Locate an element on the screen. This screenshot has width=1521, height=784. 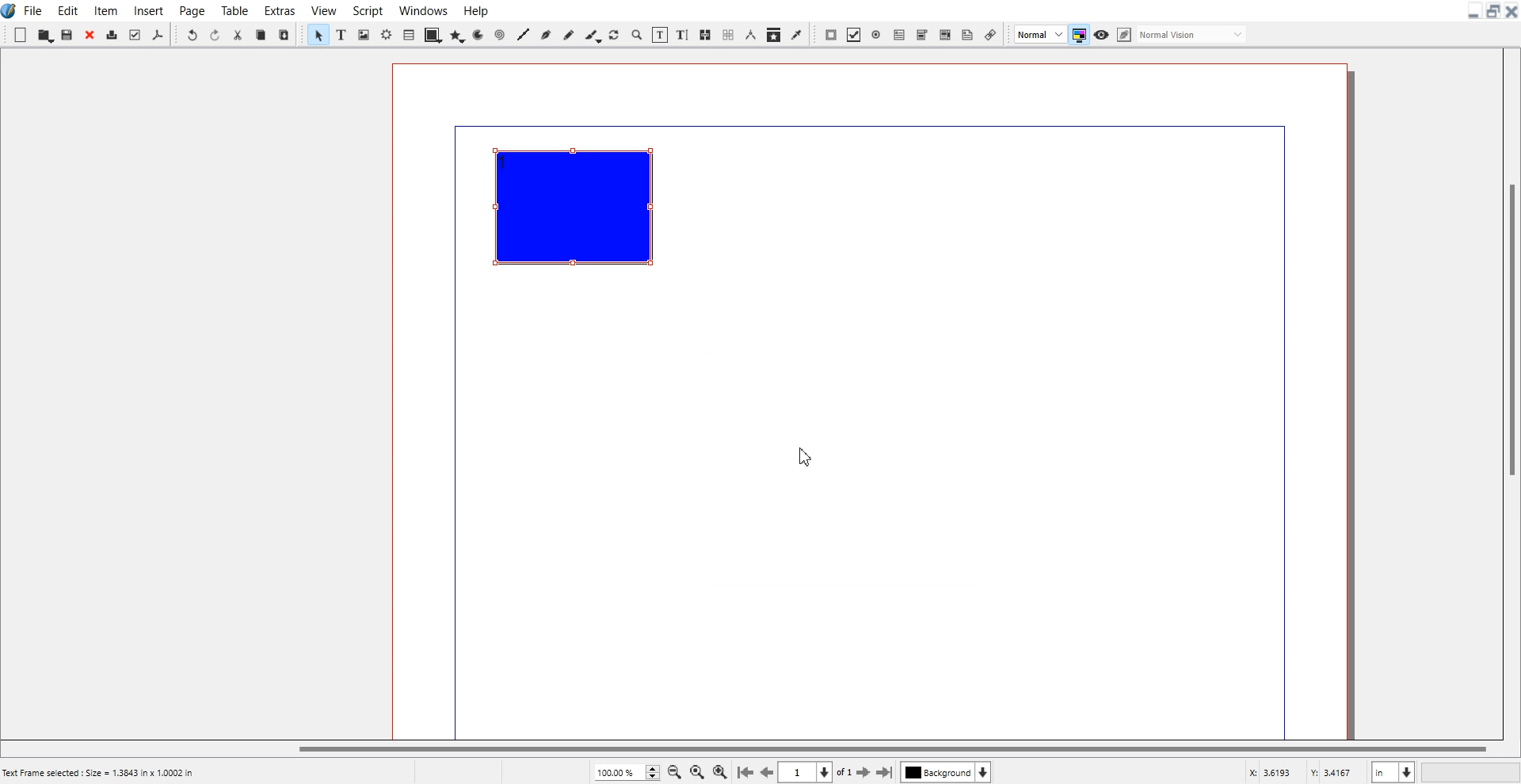
Preview mode is located at coordinates (1102, 35).